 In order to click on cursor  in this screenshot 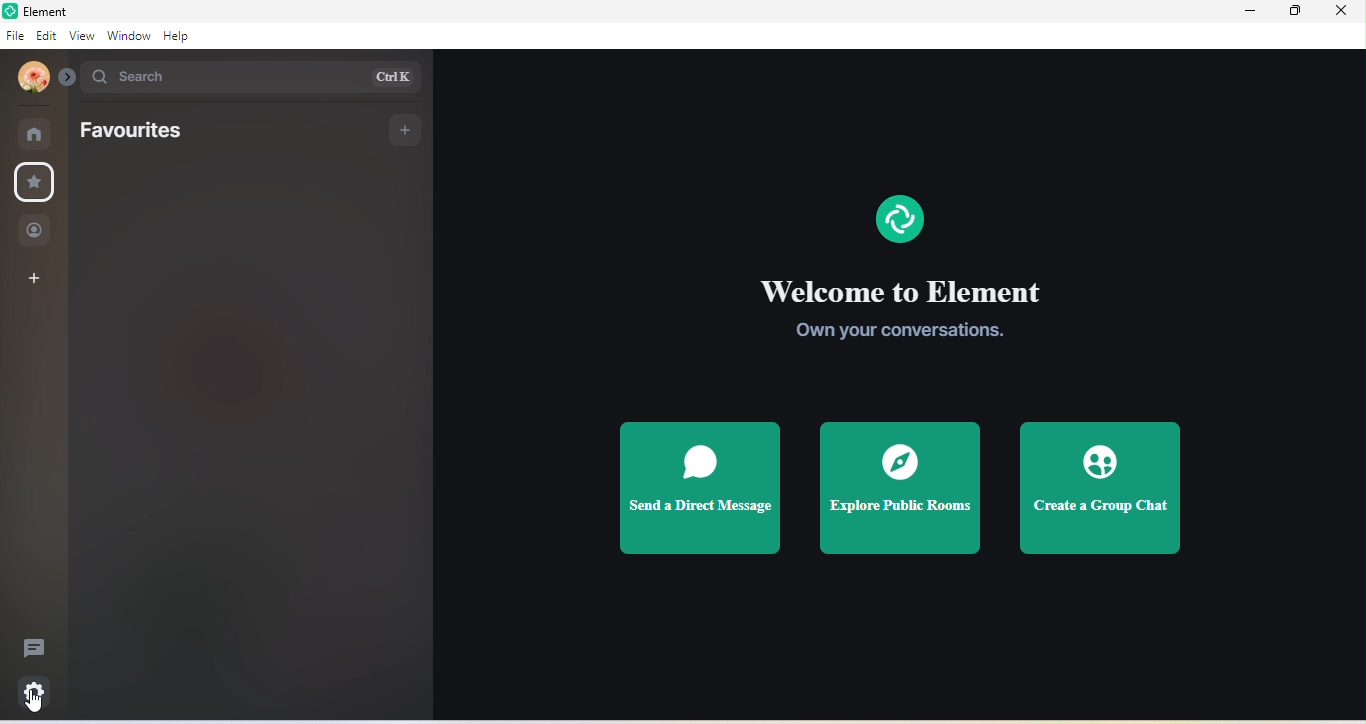, I will do `click(34, 705)`.